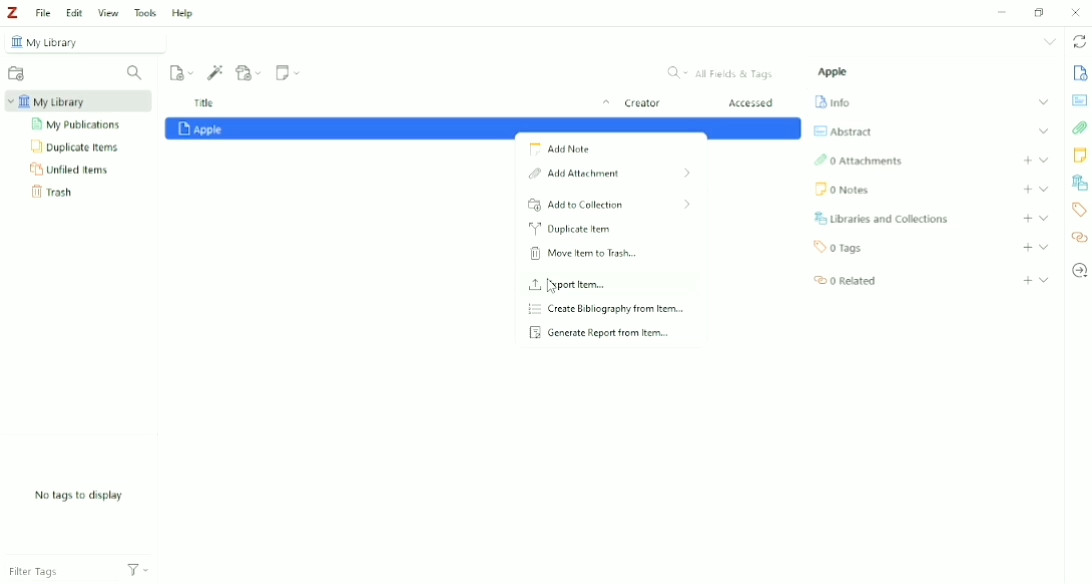 This screenshot has height=584, width=1092. Describe the element at coordinates (1027, 189) in the screenshot. I see `Add` at that location.